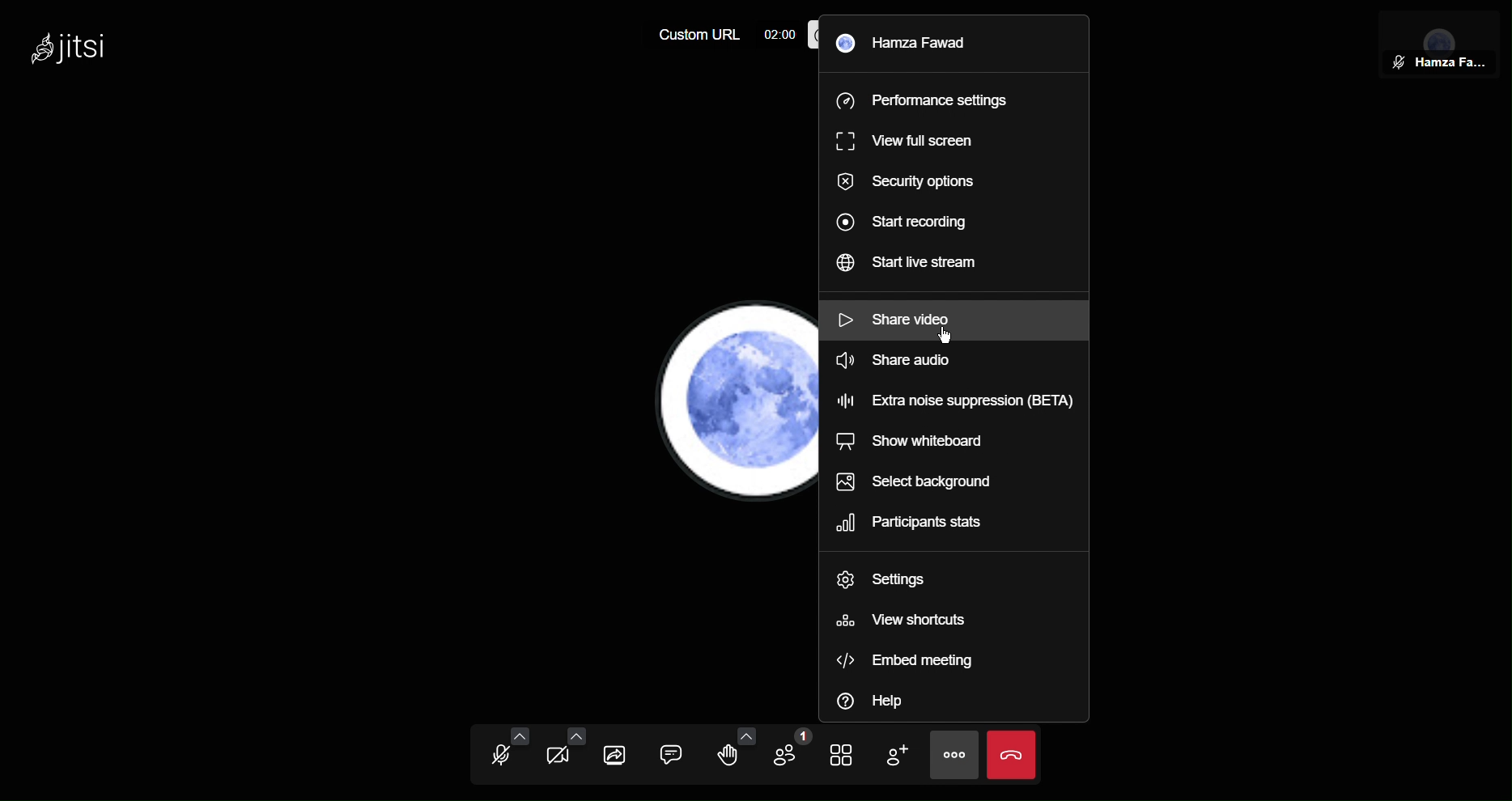 Image resolution: width=1512 pixels, height=801 pixels. What do you see at coordinates (913, 40) in the screenshot?
I see `User` at bounding box center [913, 40].